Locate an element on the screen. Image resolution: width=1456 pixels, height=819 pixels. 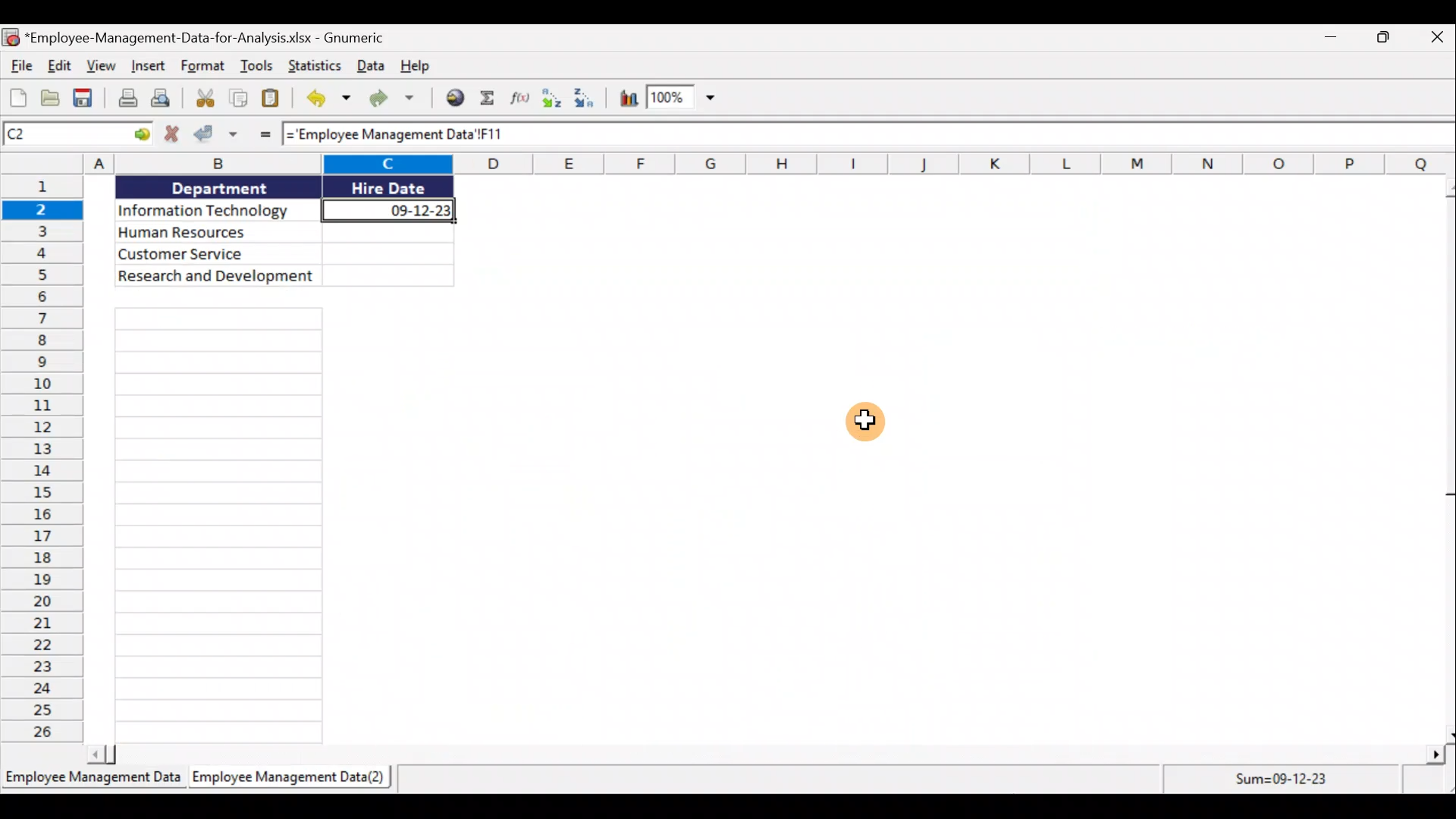
Data is located at coordinates (369, 68).